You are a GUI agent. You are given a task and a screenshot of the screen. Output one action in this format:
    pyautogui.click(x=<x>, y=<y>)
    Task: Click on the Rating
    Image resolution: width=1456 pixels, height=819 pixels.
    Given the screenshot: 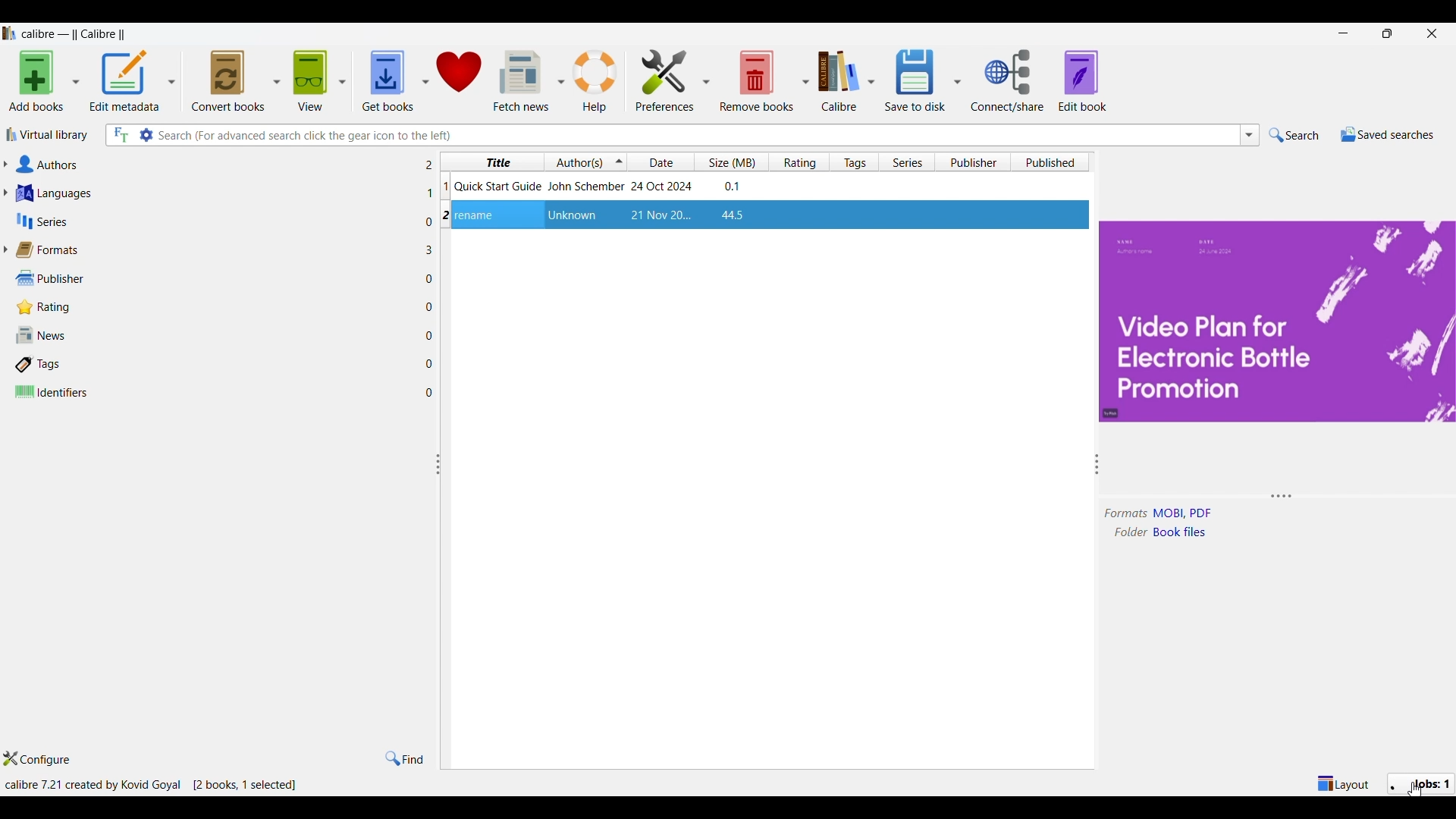 What is the action you would take?
    pyautogui.click(x=216, y=307)
    